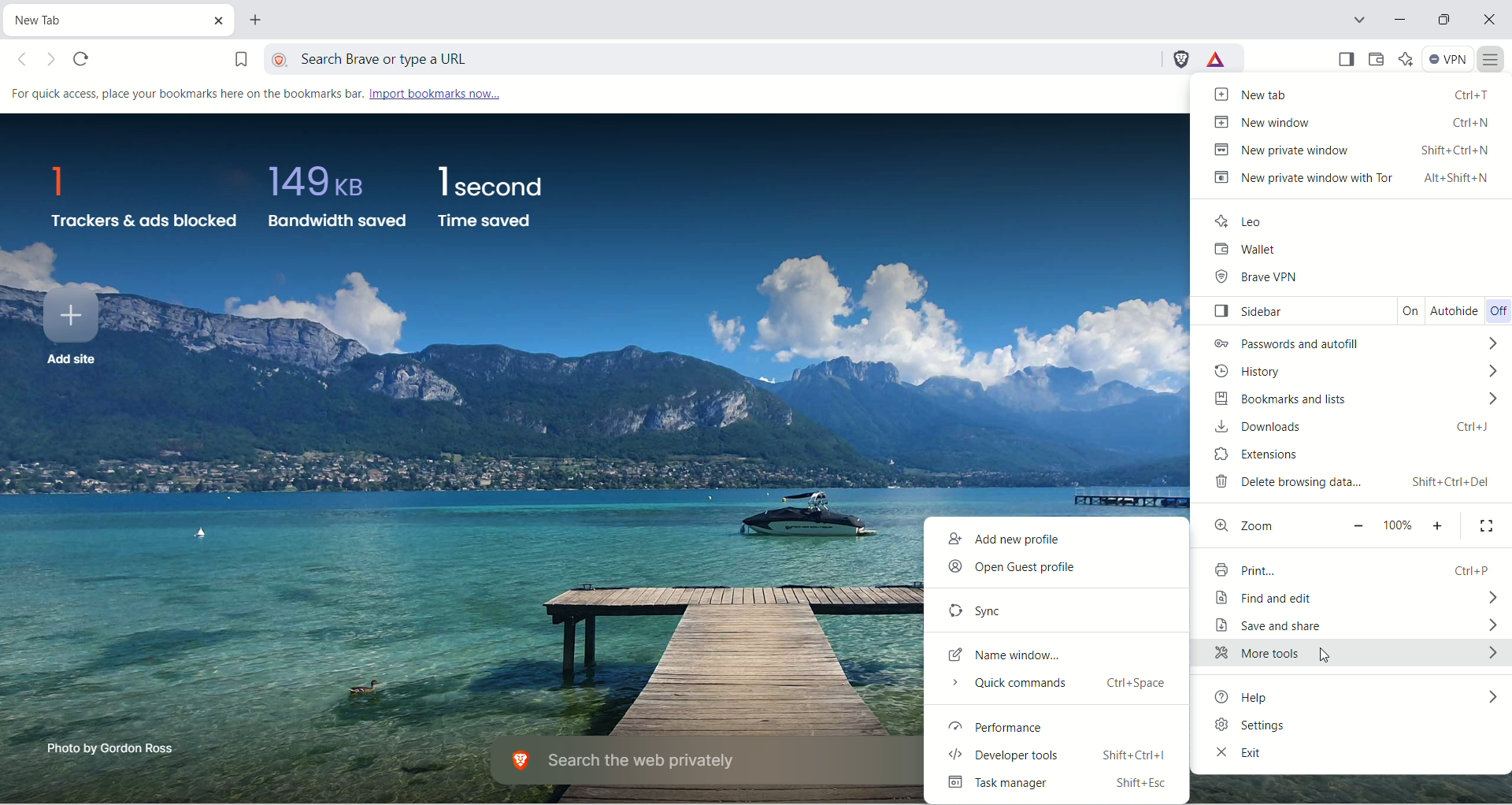  What do you see at coordinates (1488, 20) in the screenshot?
I see `close` at bounding box center [1488, 20].